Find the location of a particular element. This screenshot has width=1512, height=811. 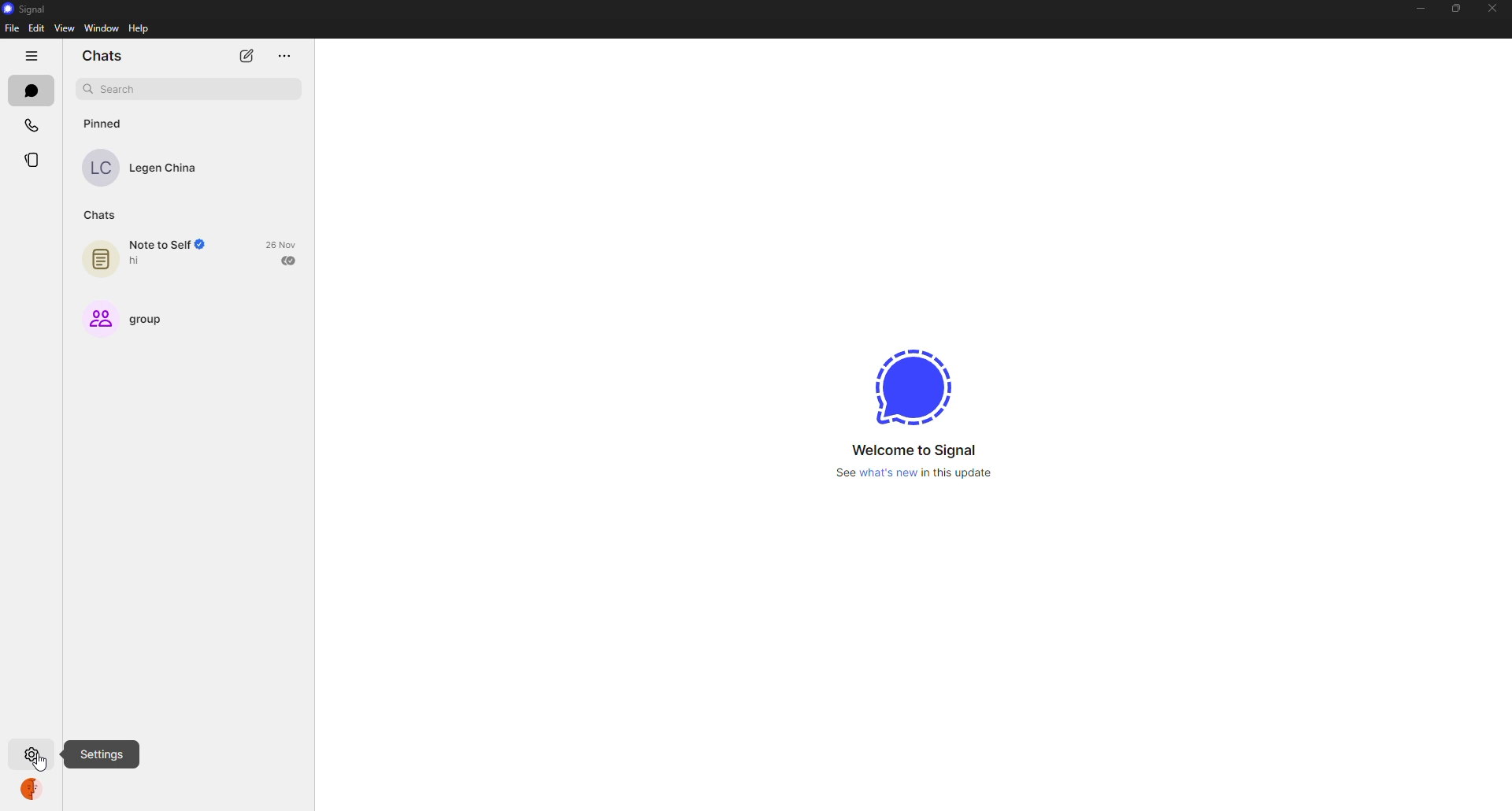

help is located at coordinates (139, 29).